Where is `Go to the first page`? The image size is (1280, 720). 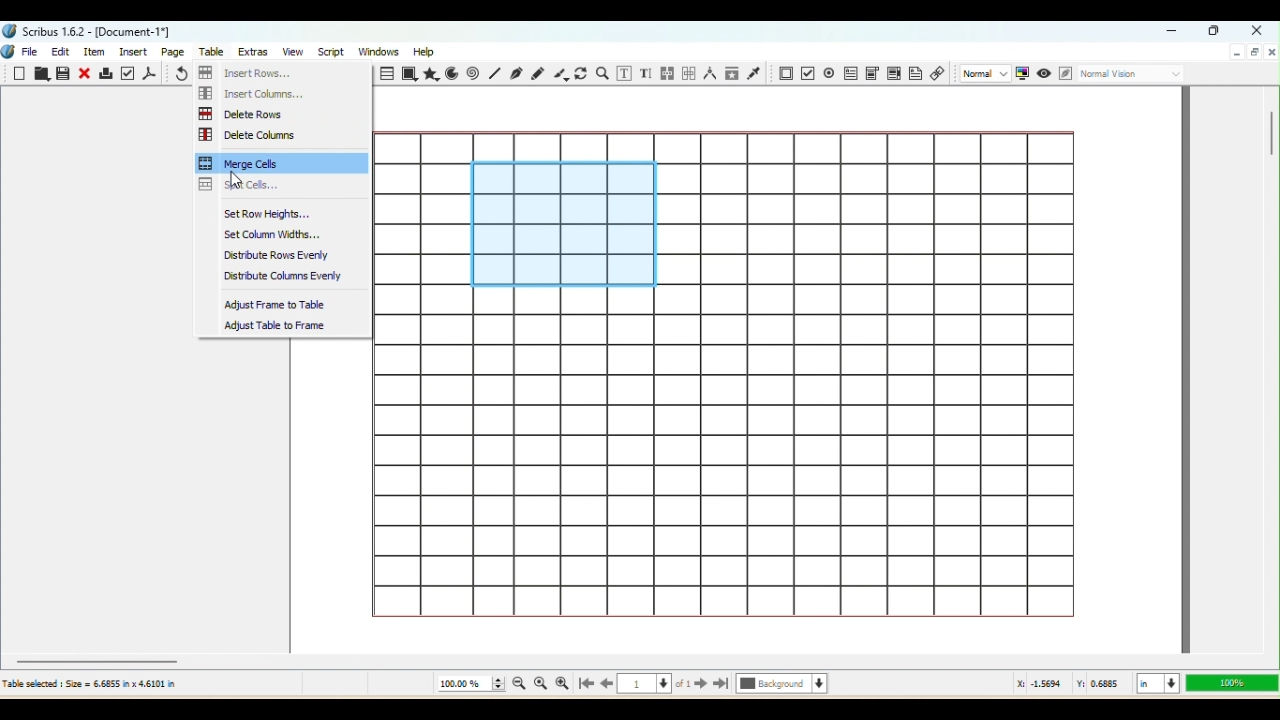
Go to the first page is located at coordinates (584, 685).